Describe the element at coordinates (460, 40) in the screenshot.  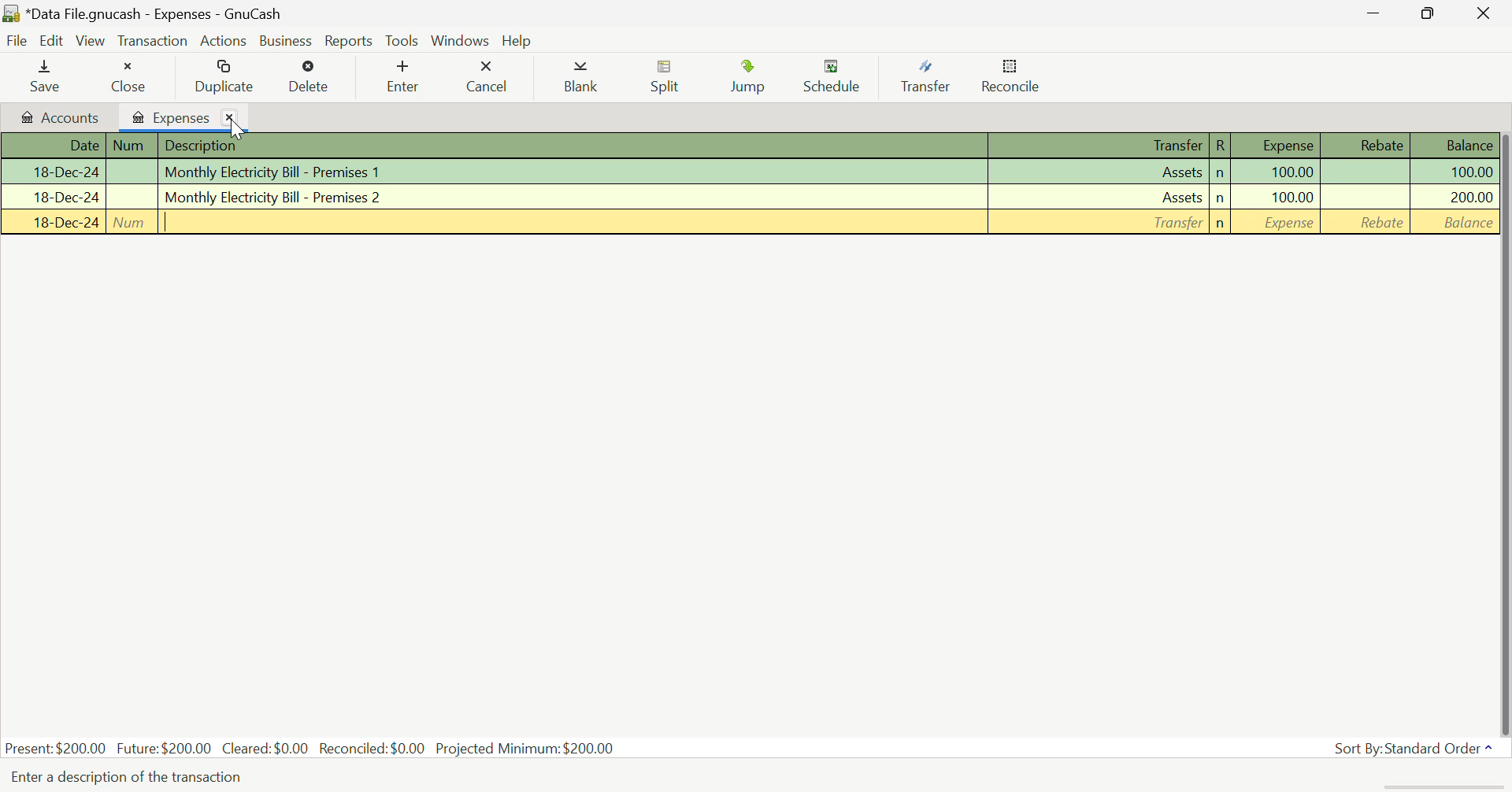
I see `Windows` at that location.